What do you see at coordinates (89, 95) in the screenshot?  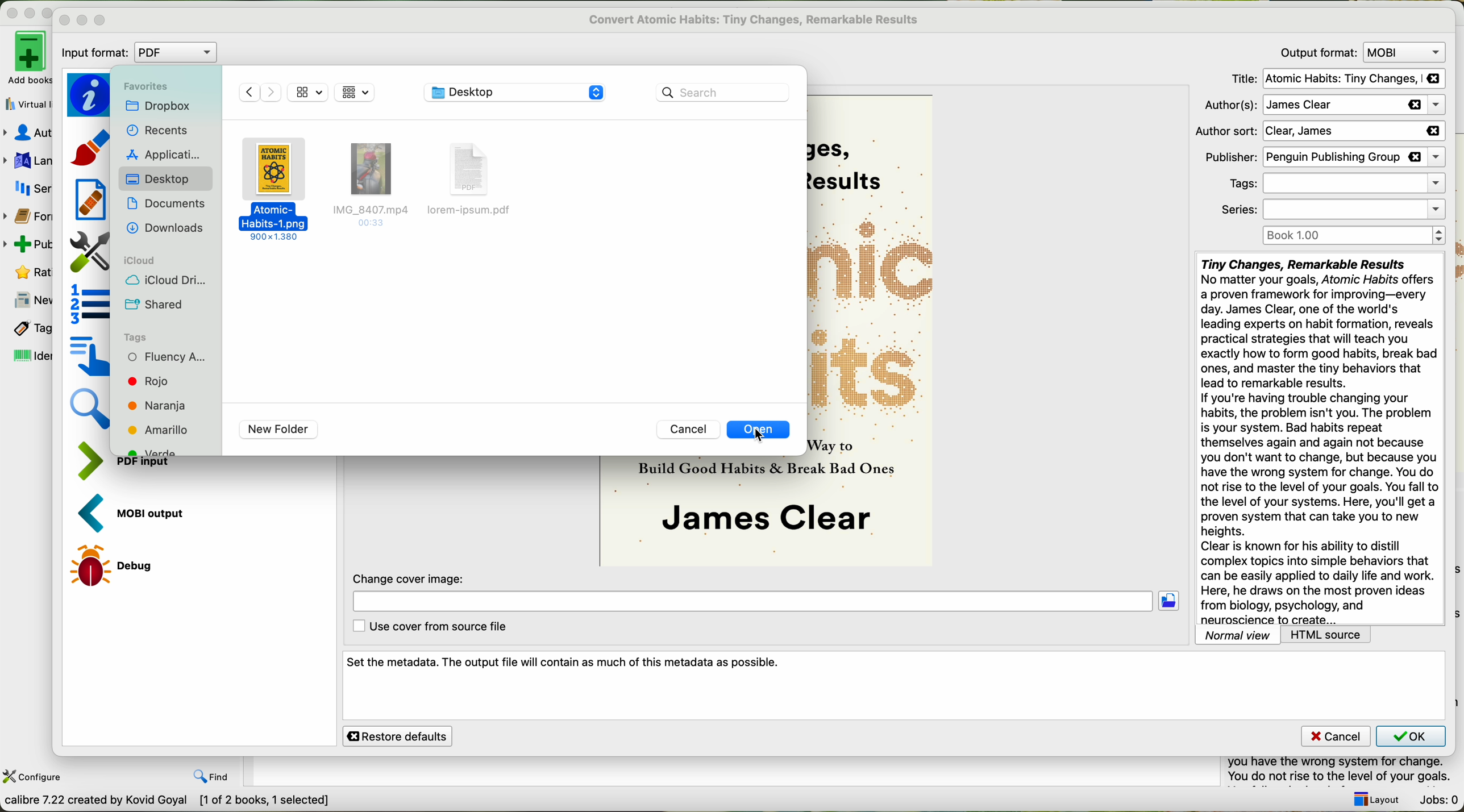 I see `metadata` at bounding box center [89, 95].